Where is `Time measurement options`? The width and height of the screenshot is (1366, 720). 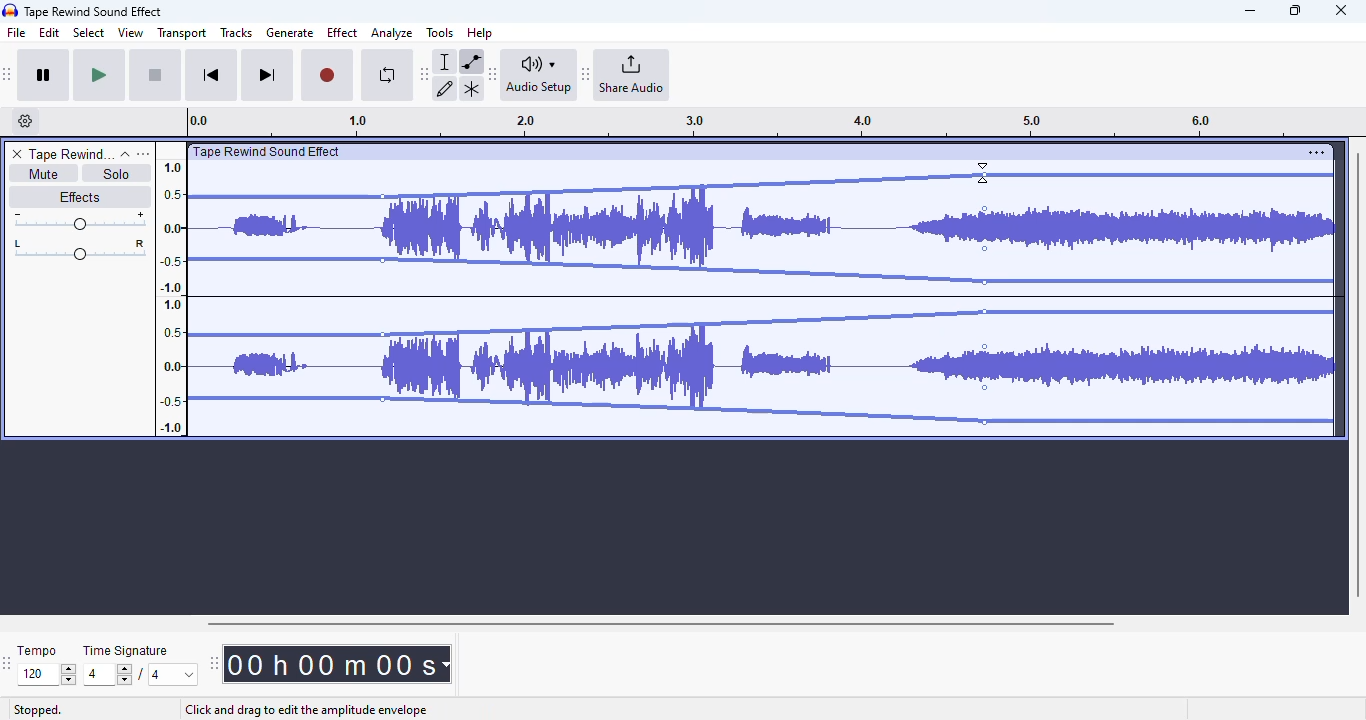
Time measurement options is located at coordinates (445, 664).